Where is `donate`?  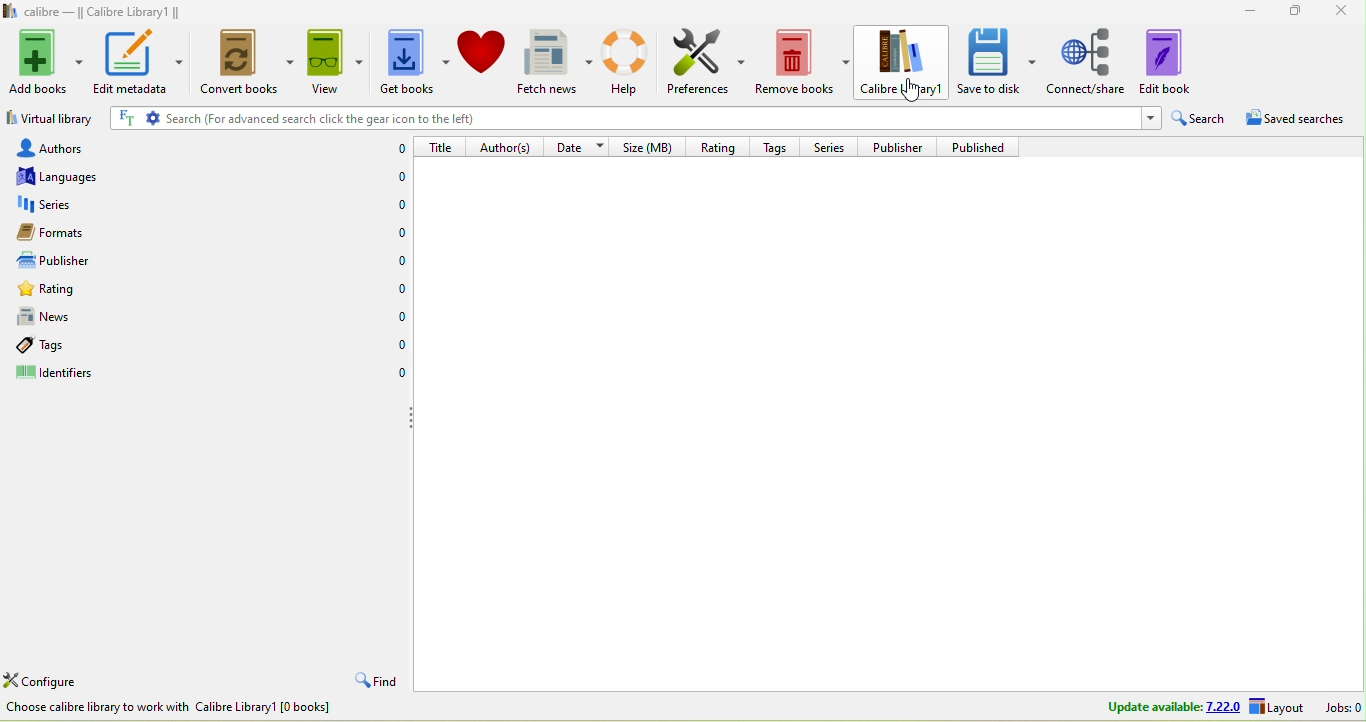 donate is located at coordinates (482, 51).